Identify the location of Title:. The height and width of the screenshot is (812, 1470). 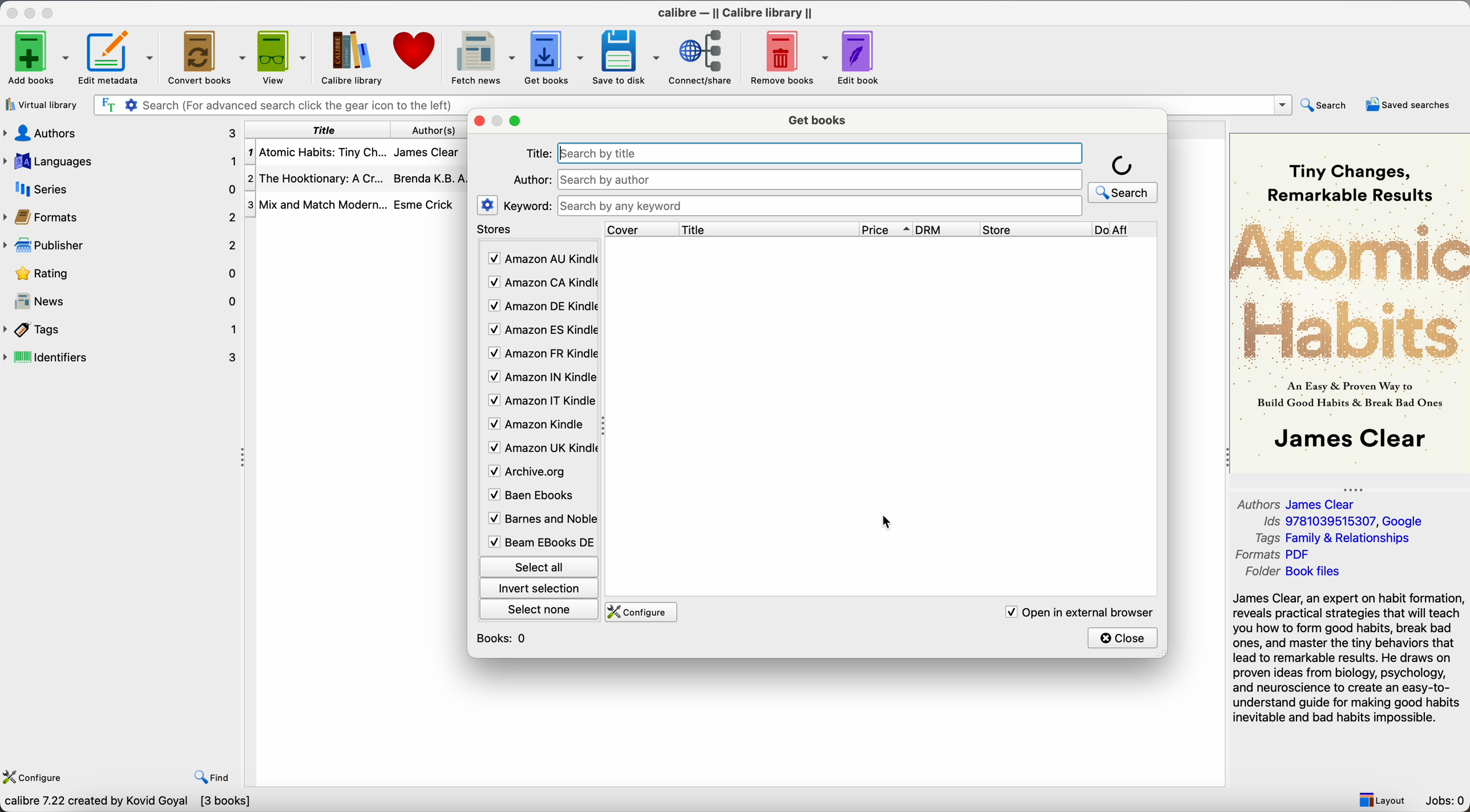
(540, 153).